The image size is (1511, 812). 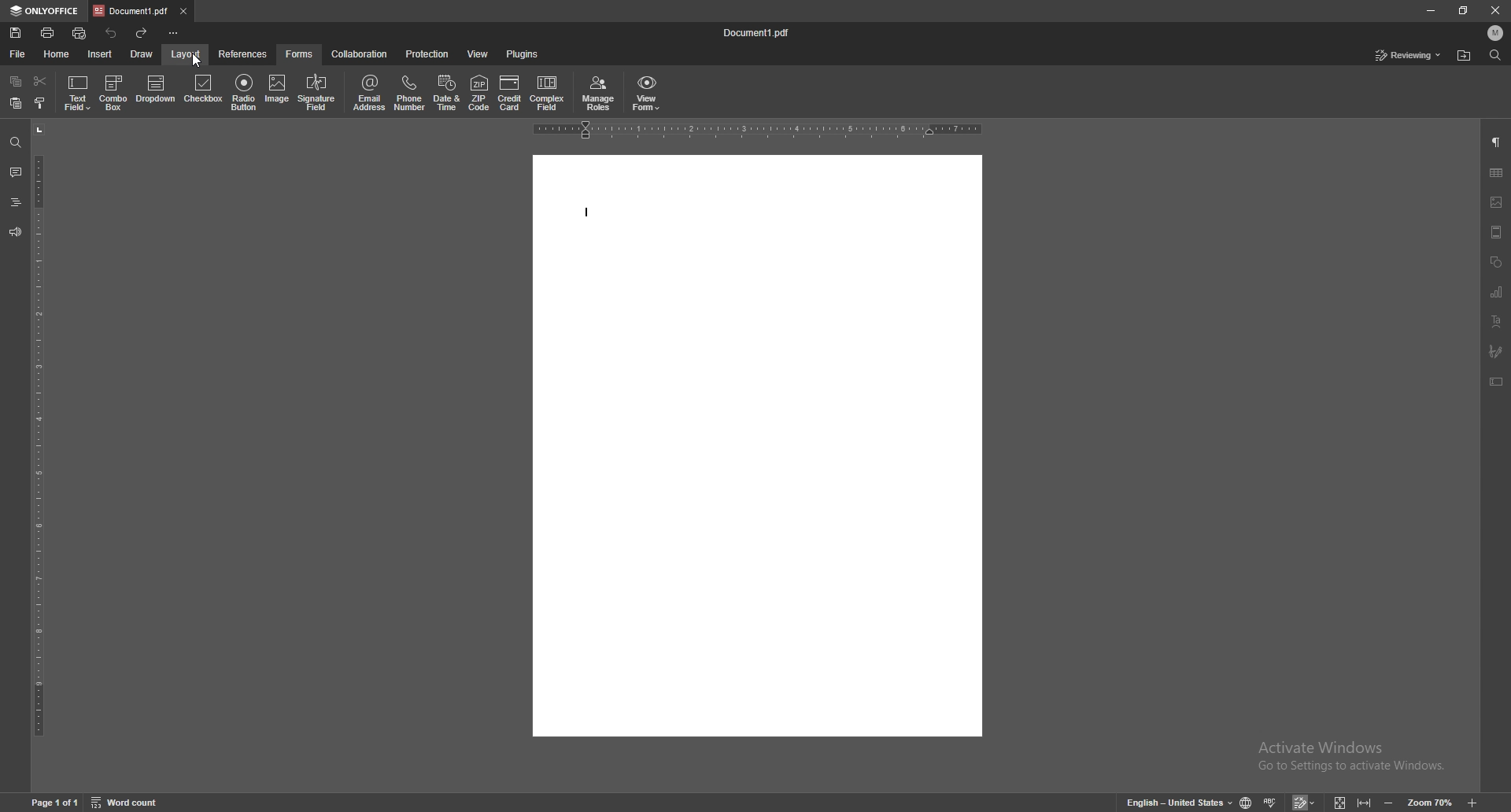 What do you see at coordinates (300, 54) in the screenshot?
I see `forms` at bounding box center [300, 54].